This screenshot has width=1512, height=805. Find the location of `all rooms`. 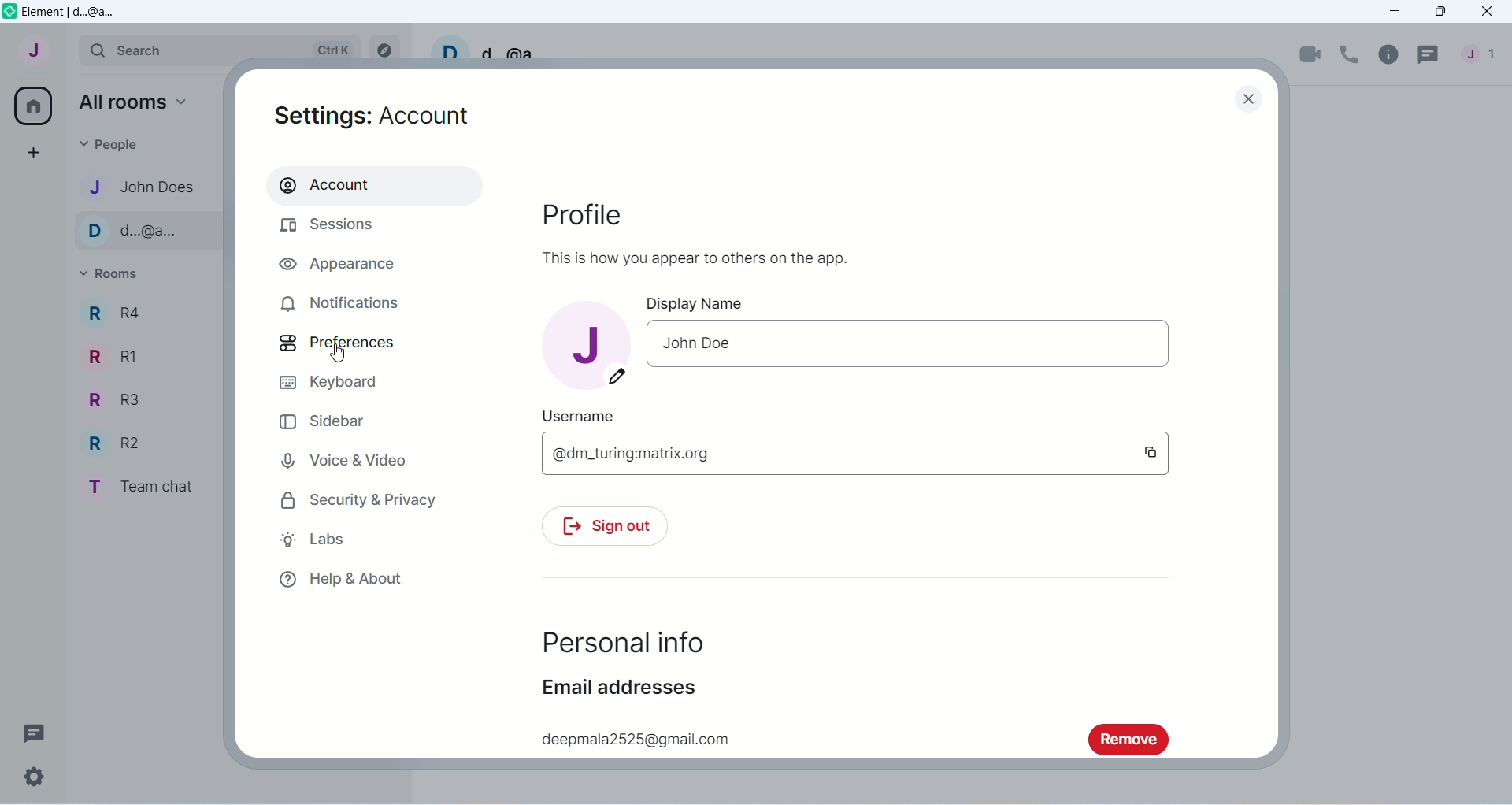

all rooms is located at coordinates (132, 102).